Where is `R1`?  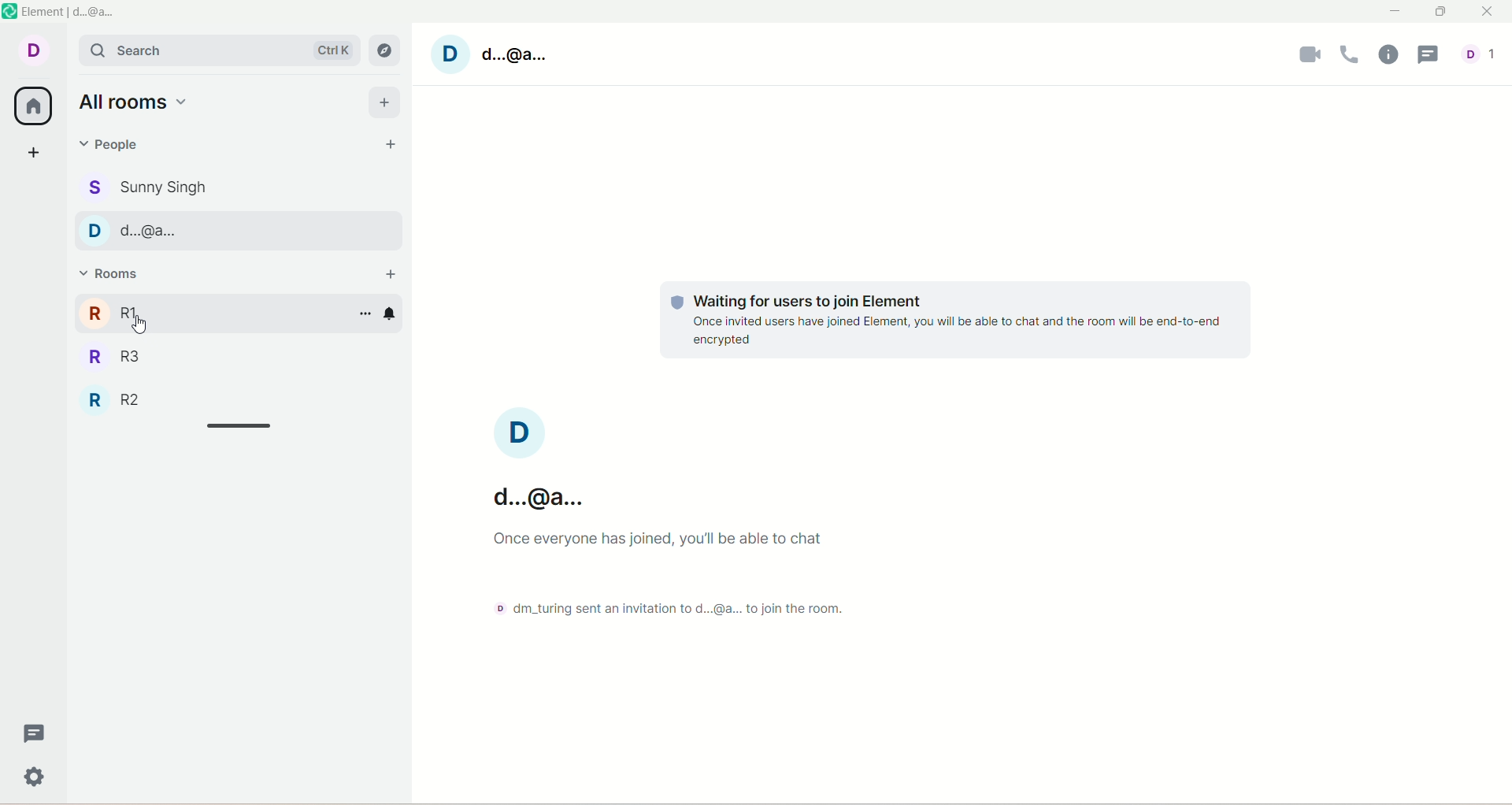 R1 is located at coordinates (115, 313).